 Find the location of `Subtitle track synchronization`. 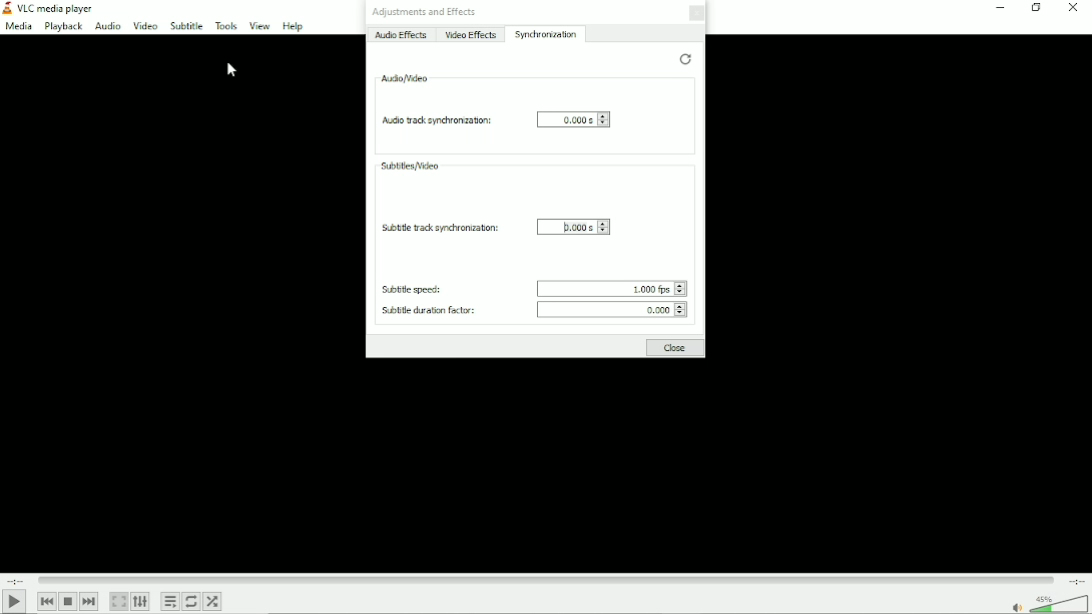

Subtitle track synchronization is located at coordinates (438, 226).